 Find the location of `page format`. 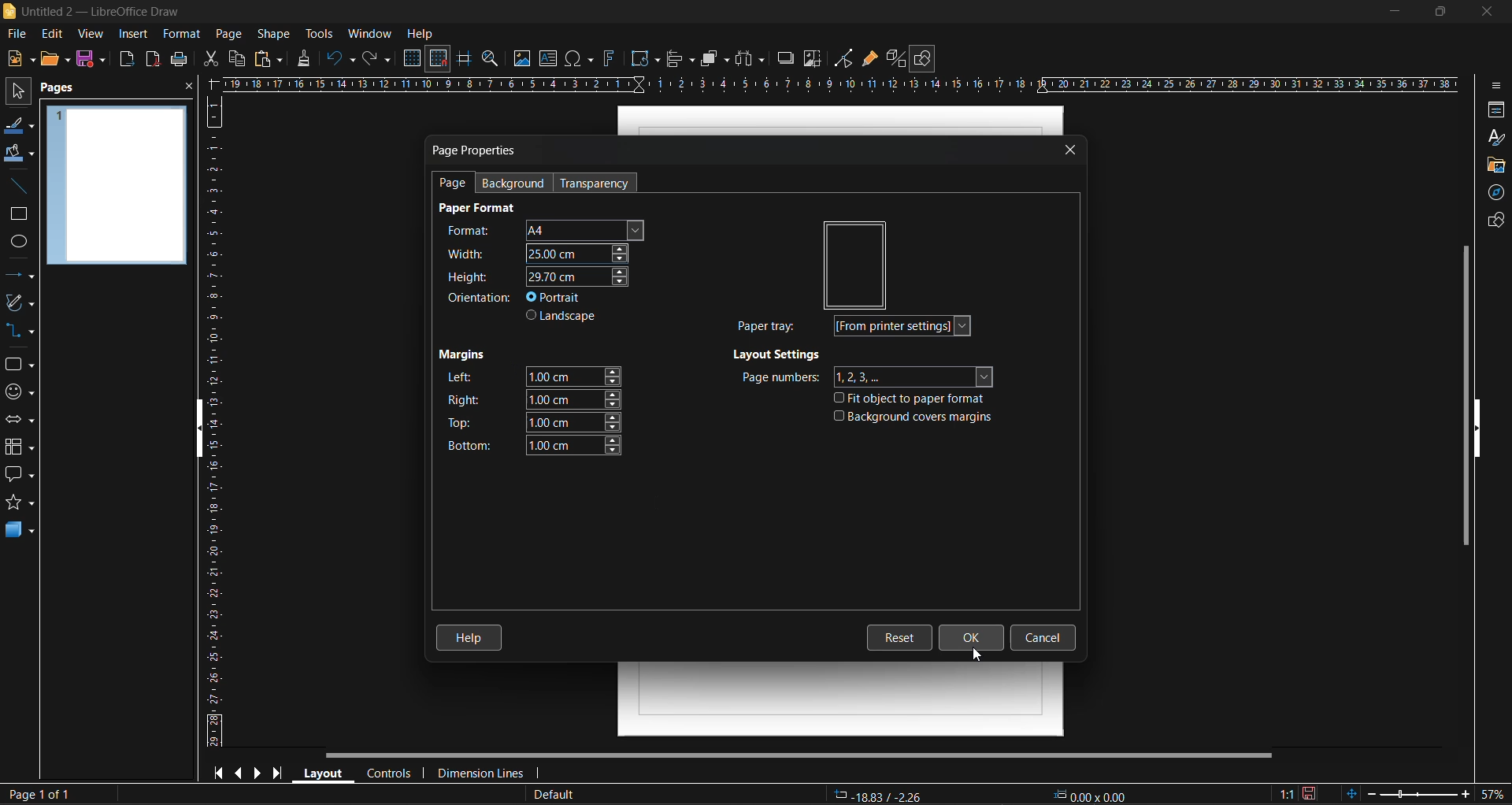

page format is located at coordinates (481, 208).